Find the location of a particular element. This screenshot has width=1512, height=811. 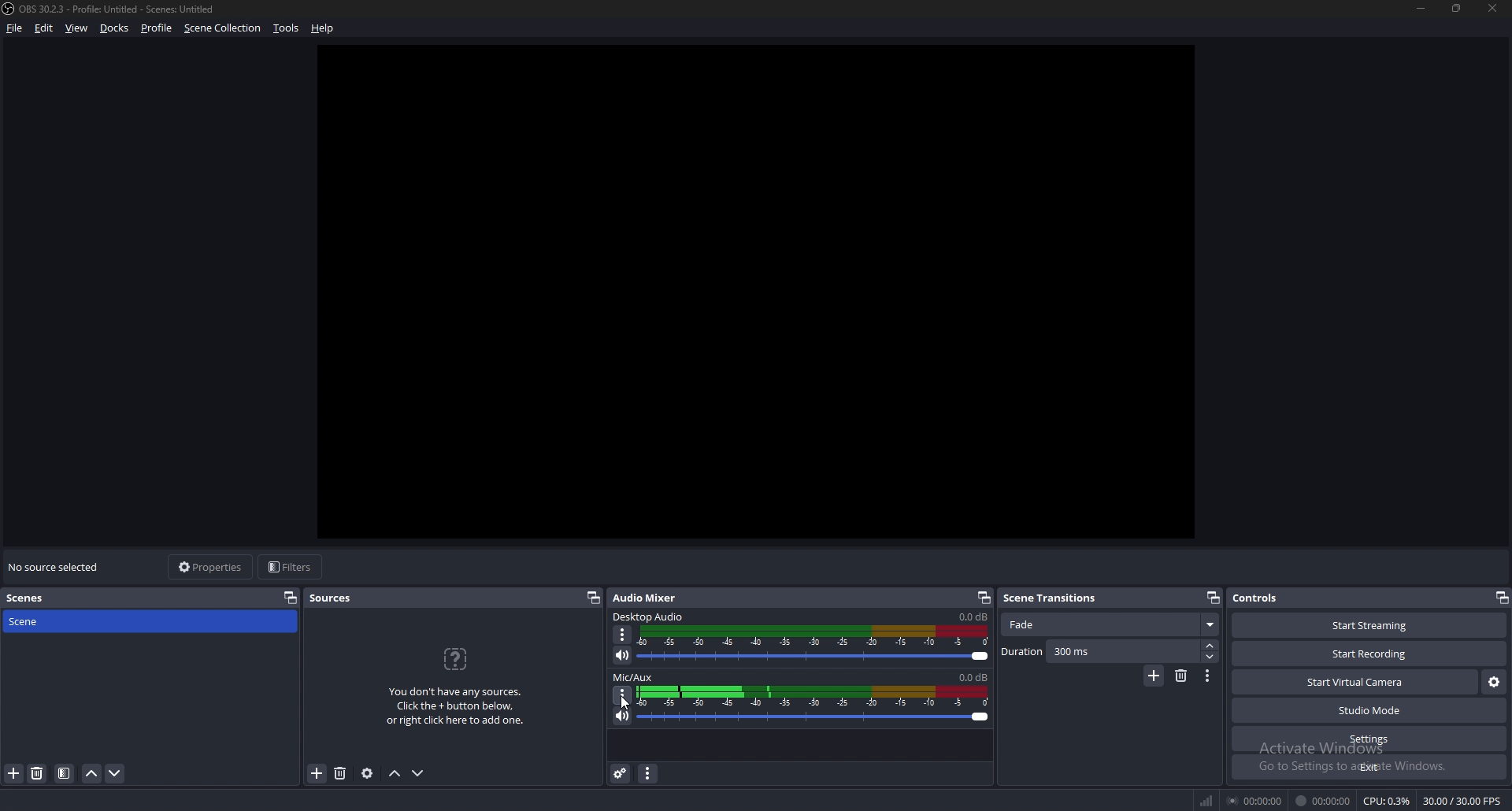

network is located at coordinates (1206, 801).